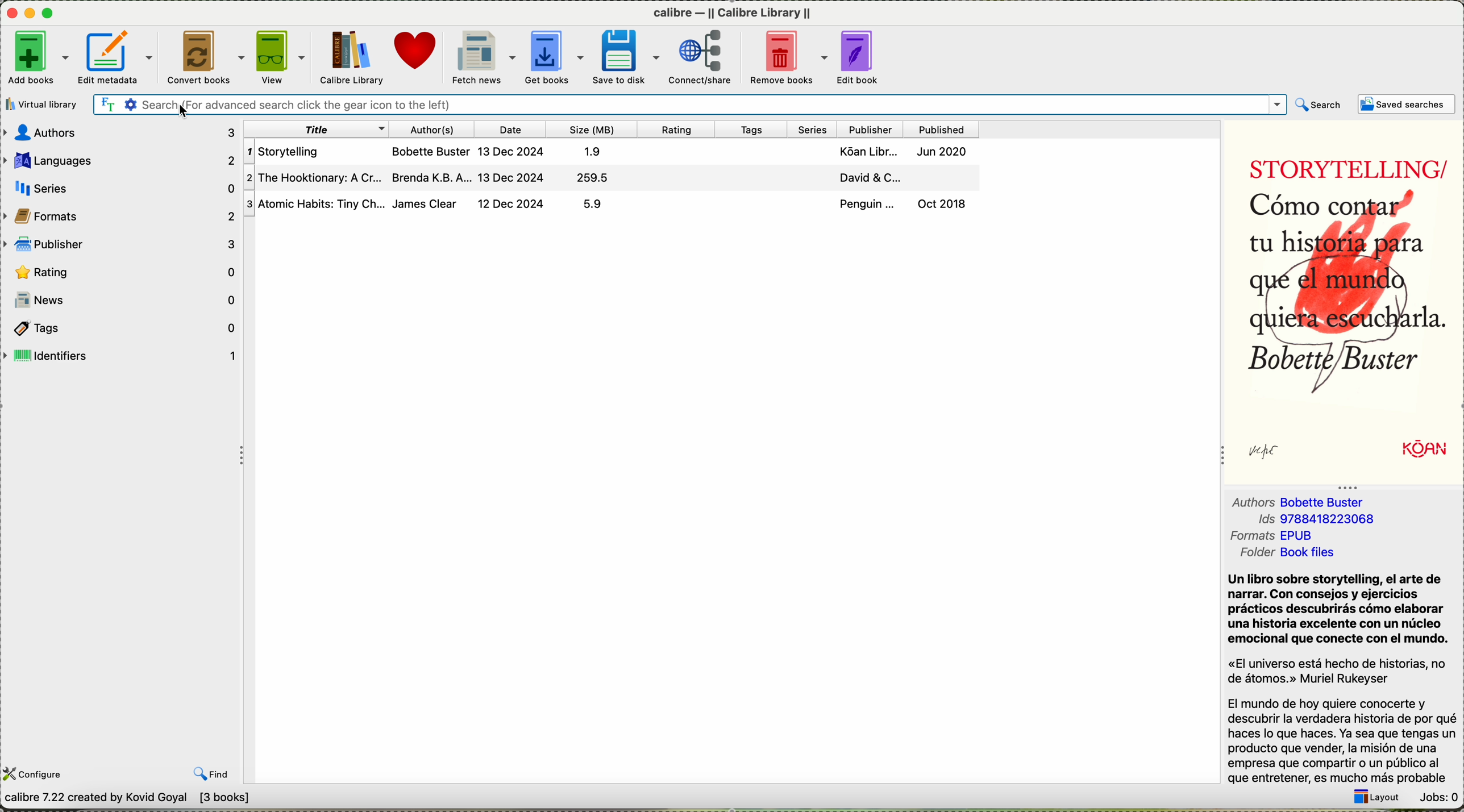  What do you see at coordinates (1319, 105) in the screenshot?
I see `search` at bounding box center [1319, 105].